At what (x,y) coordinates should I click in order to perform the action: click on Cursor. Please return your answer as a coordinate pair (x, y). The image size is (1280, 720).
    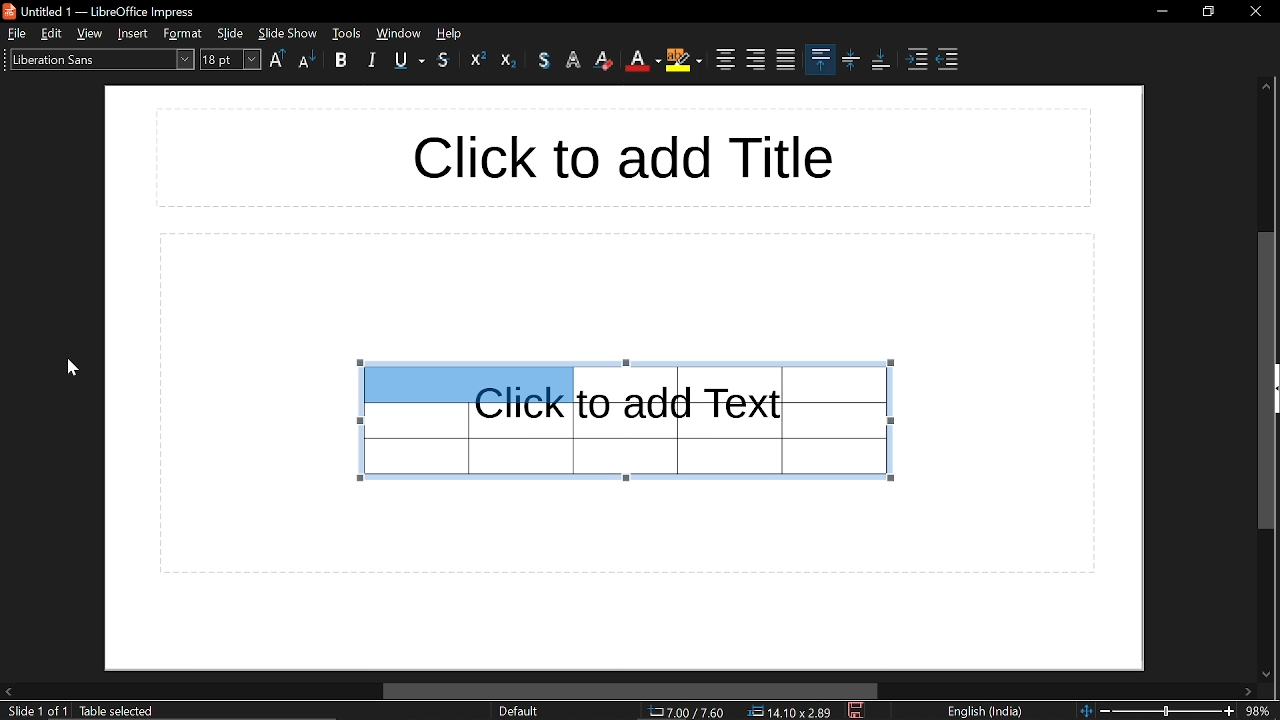
    Looking at the image, I should click on (75, 368).